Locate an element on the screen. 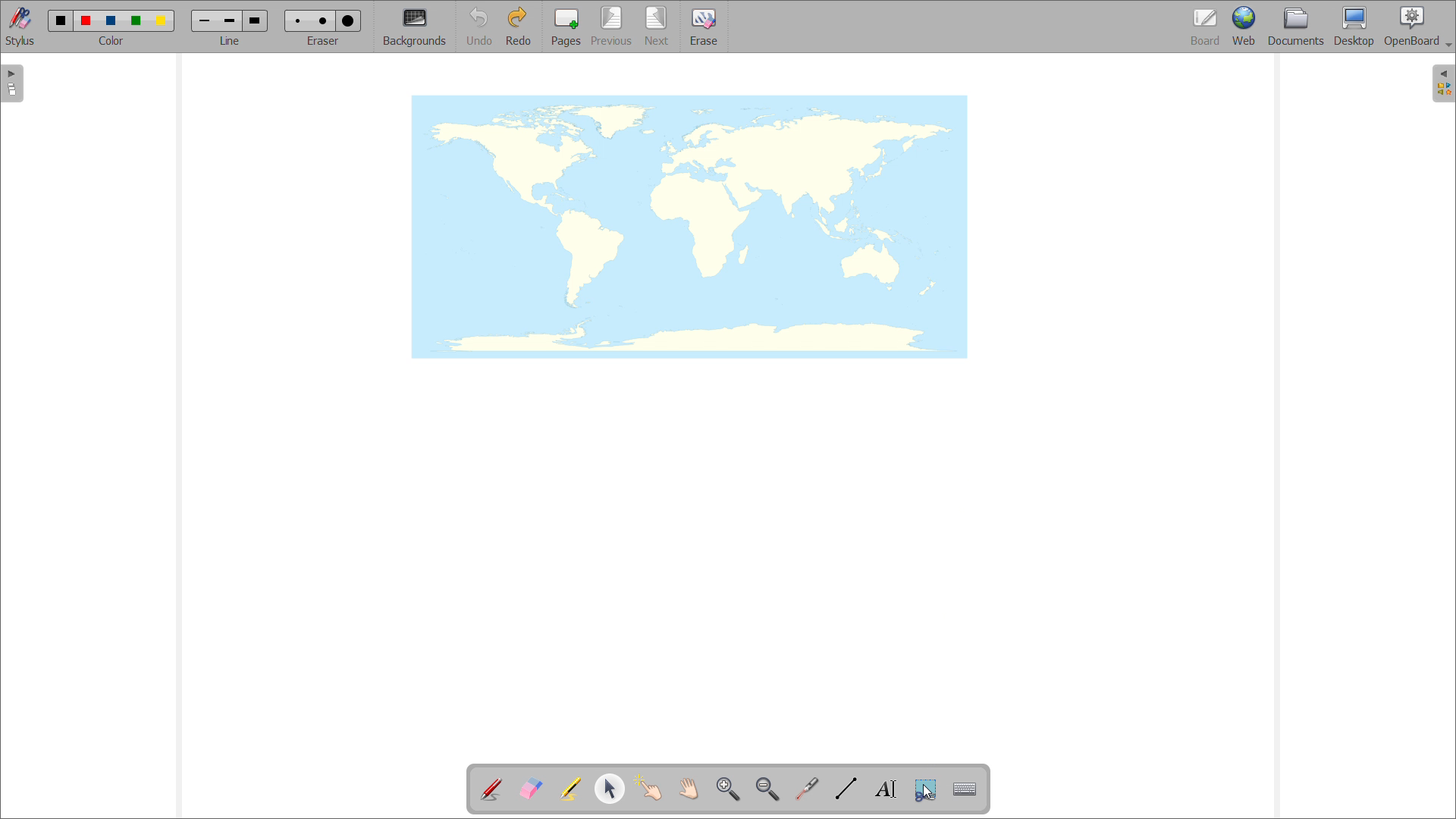 The width and height of the screenshot is (1456, 819). capture part of the screen is located at coordinates (925, 790).